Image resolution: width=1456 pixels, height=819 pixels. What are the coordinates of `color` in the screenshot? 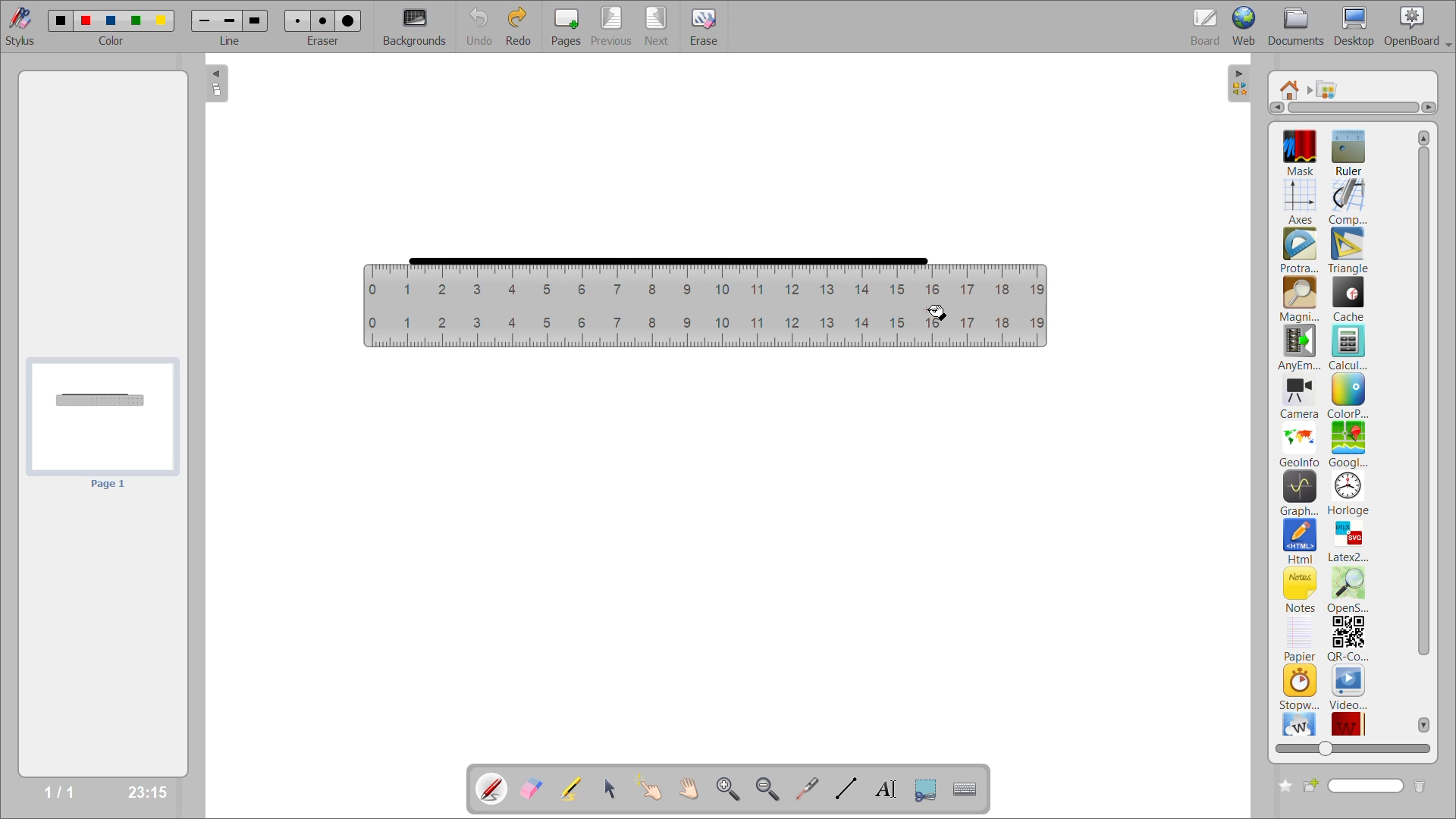 It's located at (110, 41).